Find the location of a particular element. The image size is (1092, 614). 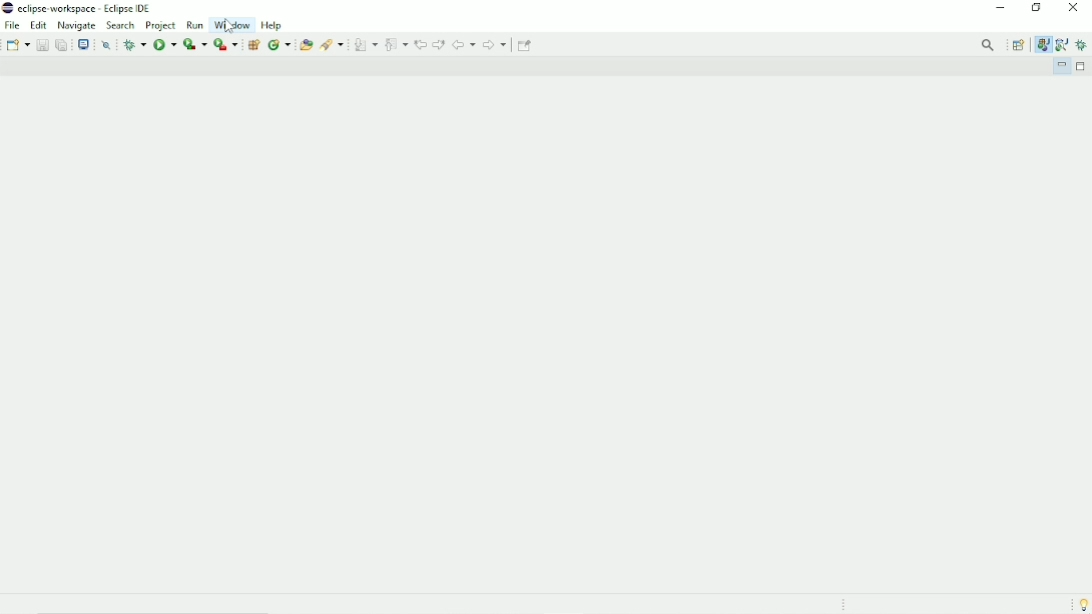

Previous edit location is located at coordinates (420, 45).